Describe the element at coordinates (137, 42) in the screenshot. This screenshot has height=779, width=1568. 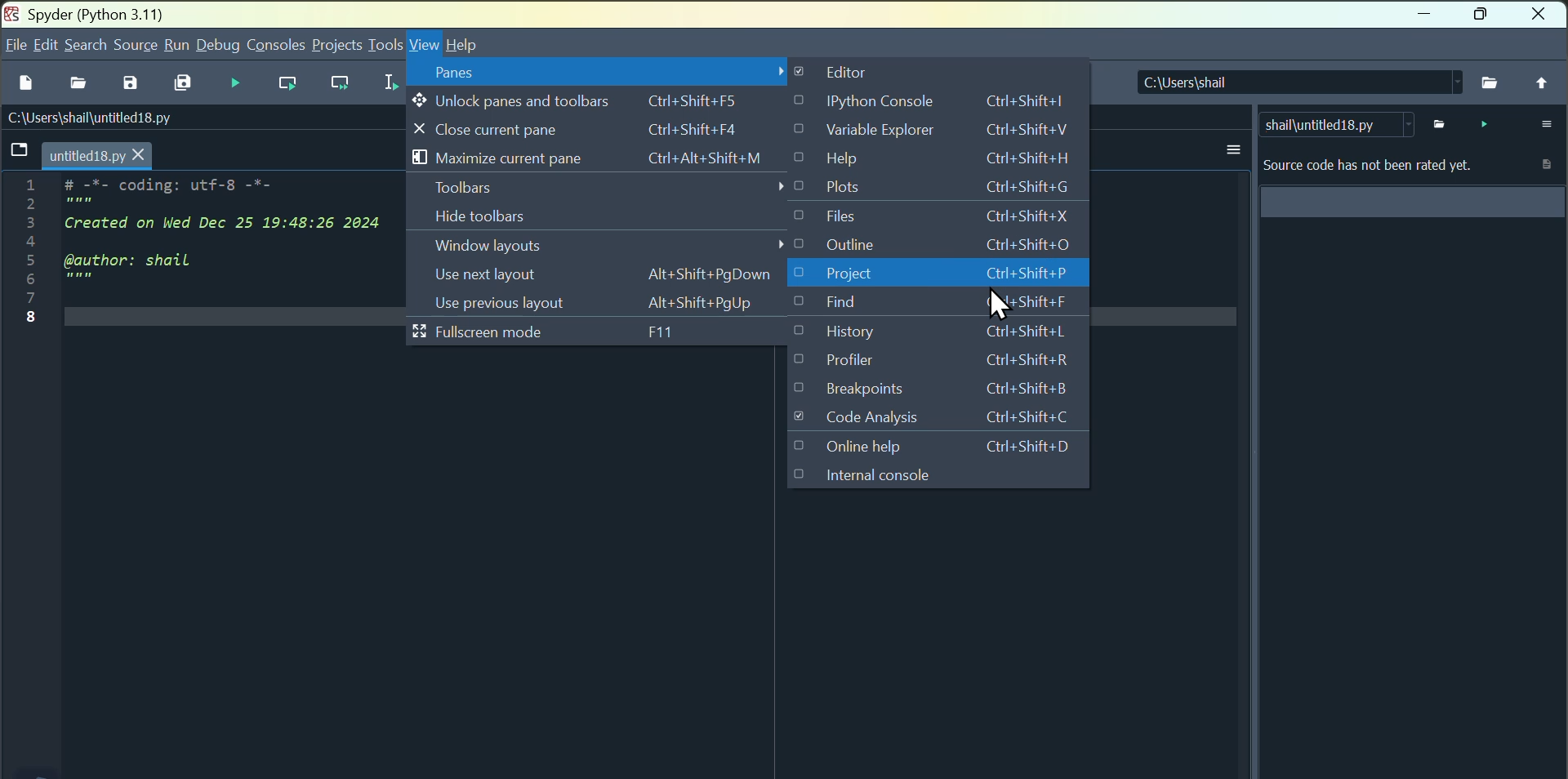
I see `Source` at that location.